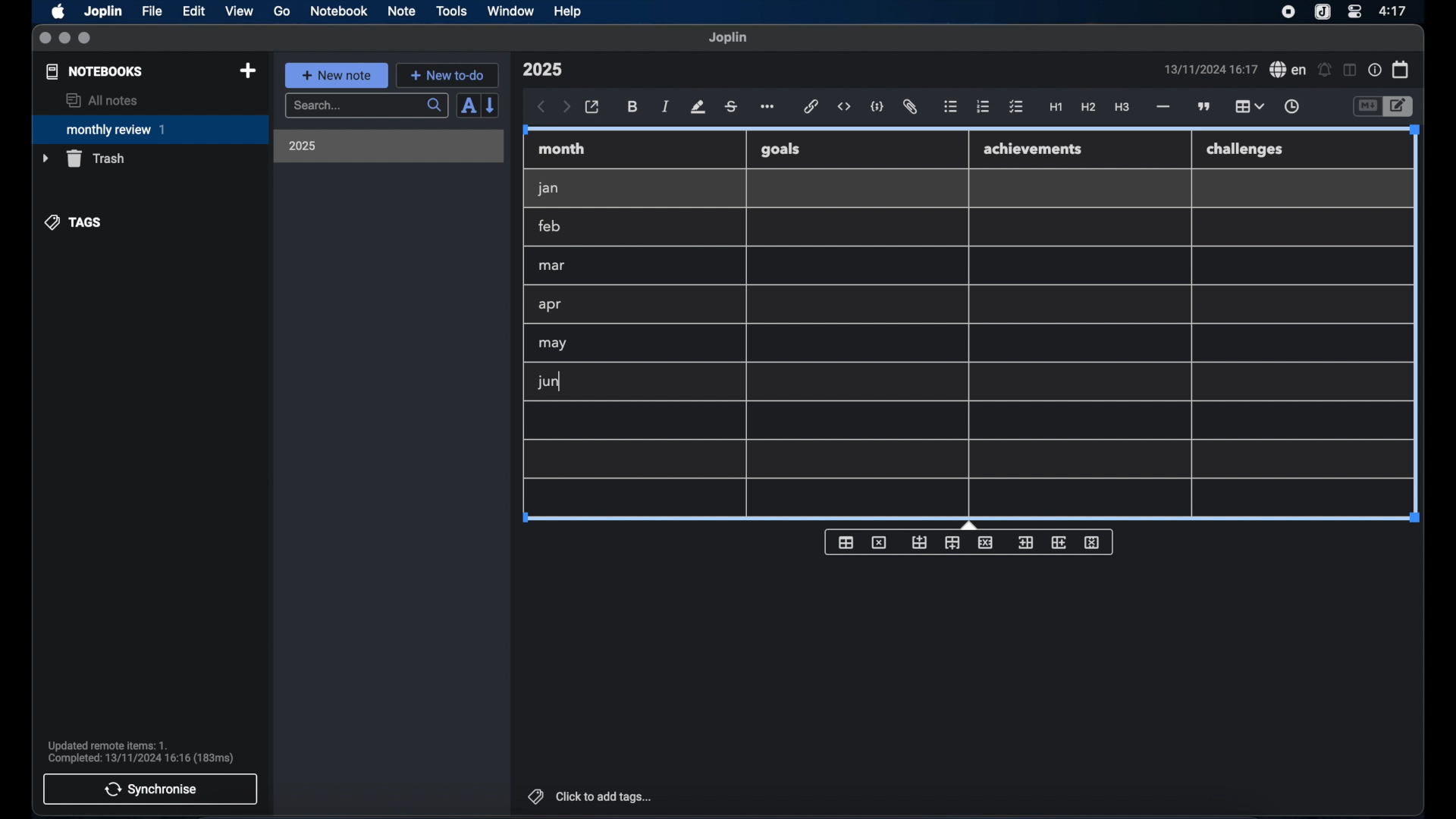 This screenshot has height=819, width=1456. I want to click on view, so click(239, 11).